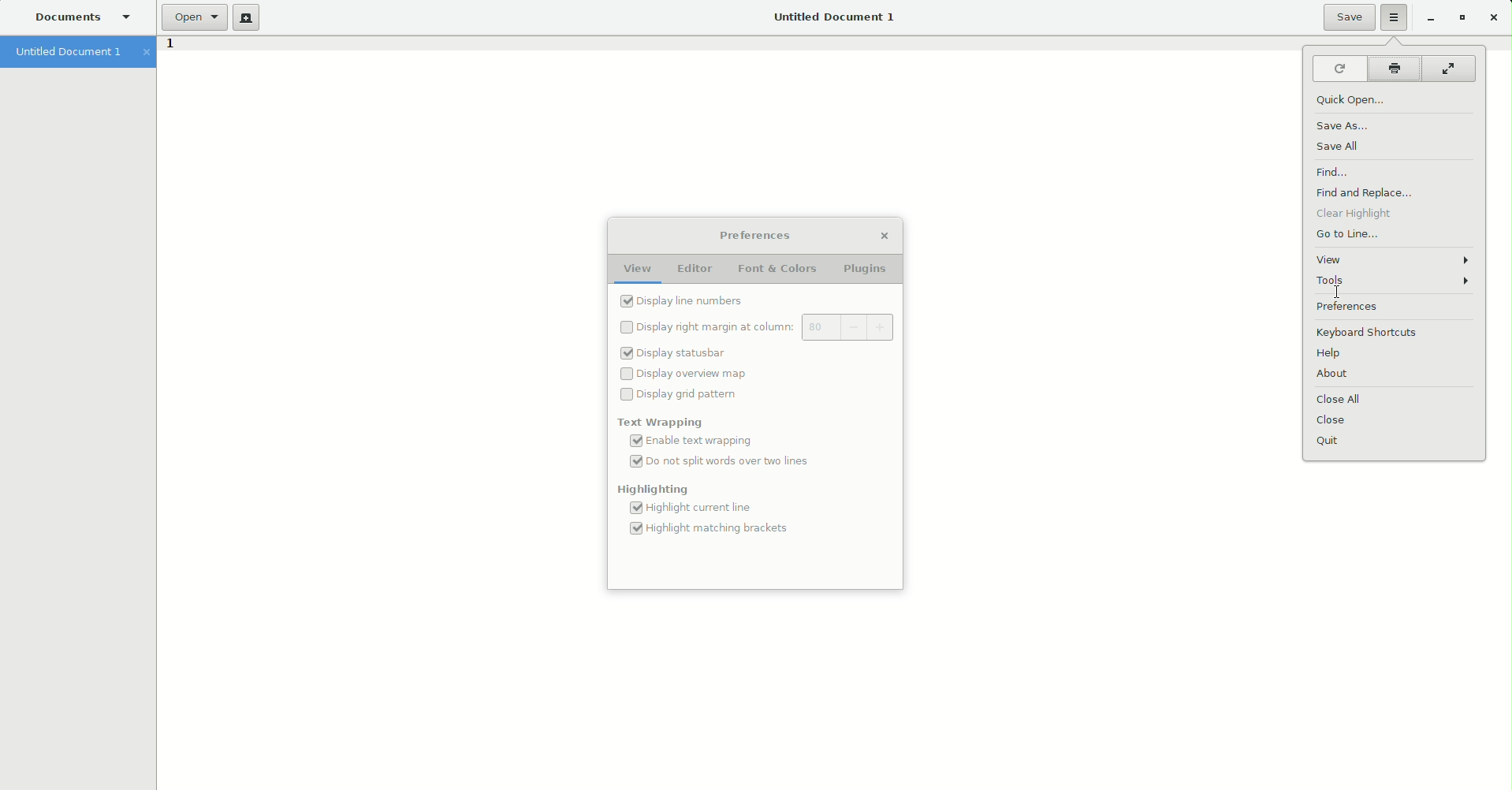  What do you see at coordinates (1338, 295) in the screenshot?
I see `Cursor` at bounding box center [1338, 295].